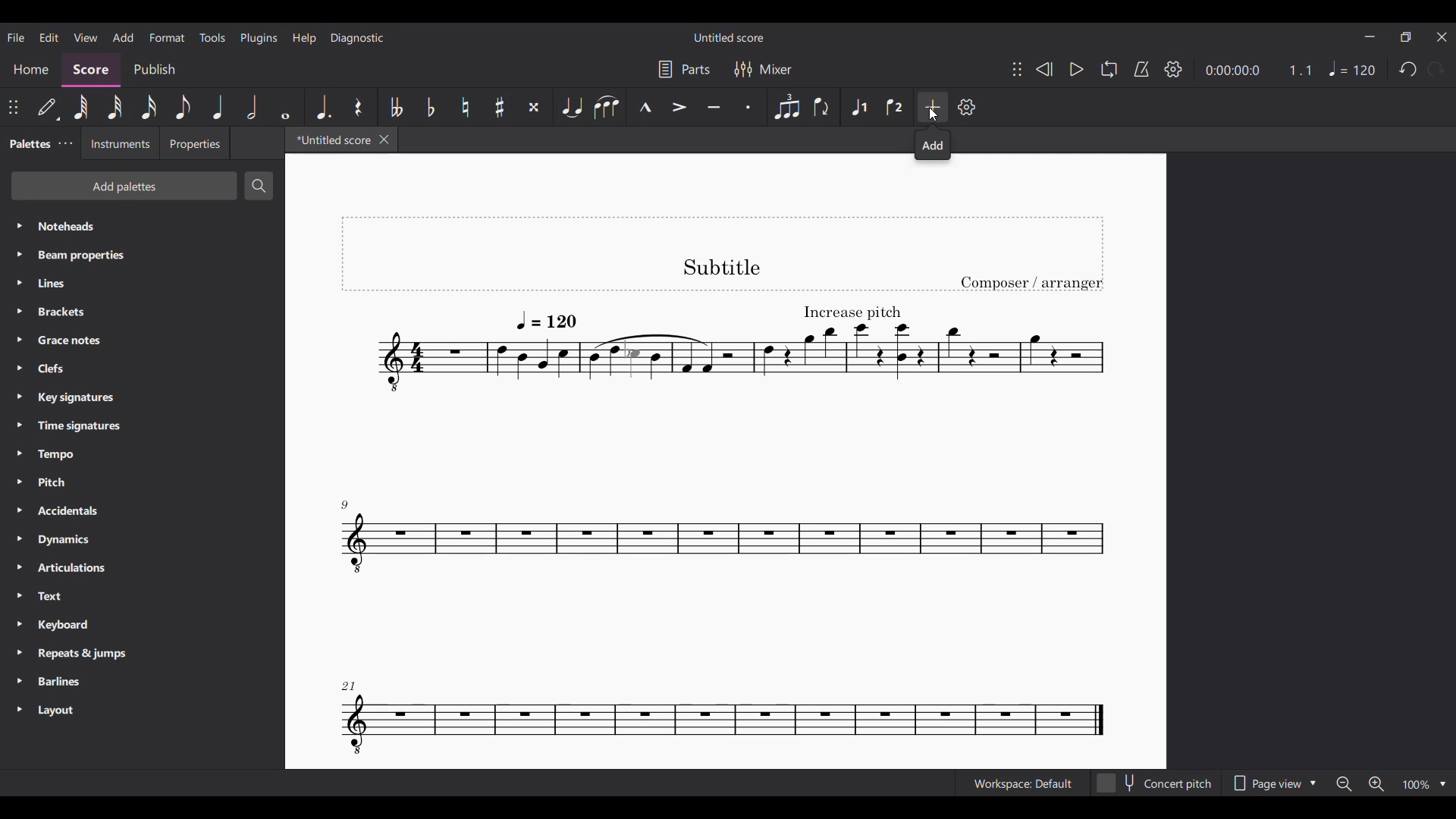  I want to click on Show in smaller tab, so click(1406, 37).